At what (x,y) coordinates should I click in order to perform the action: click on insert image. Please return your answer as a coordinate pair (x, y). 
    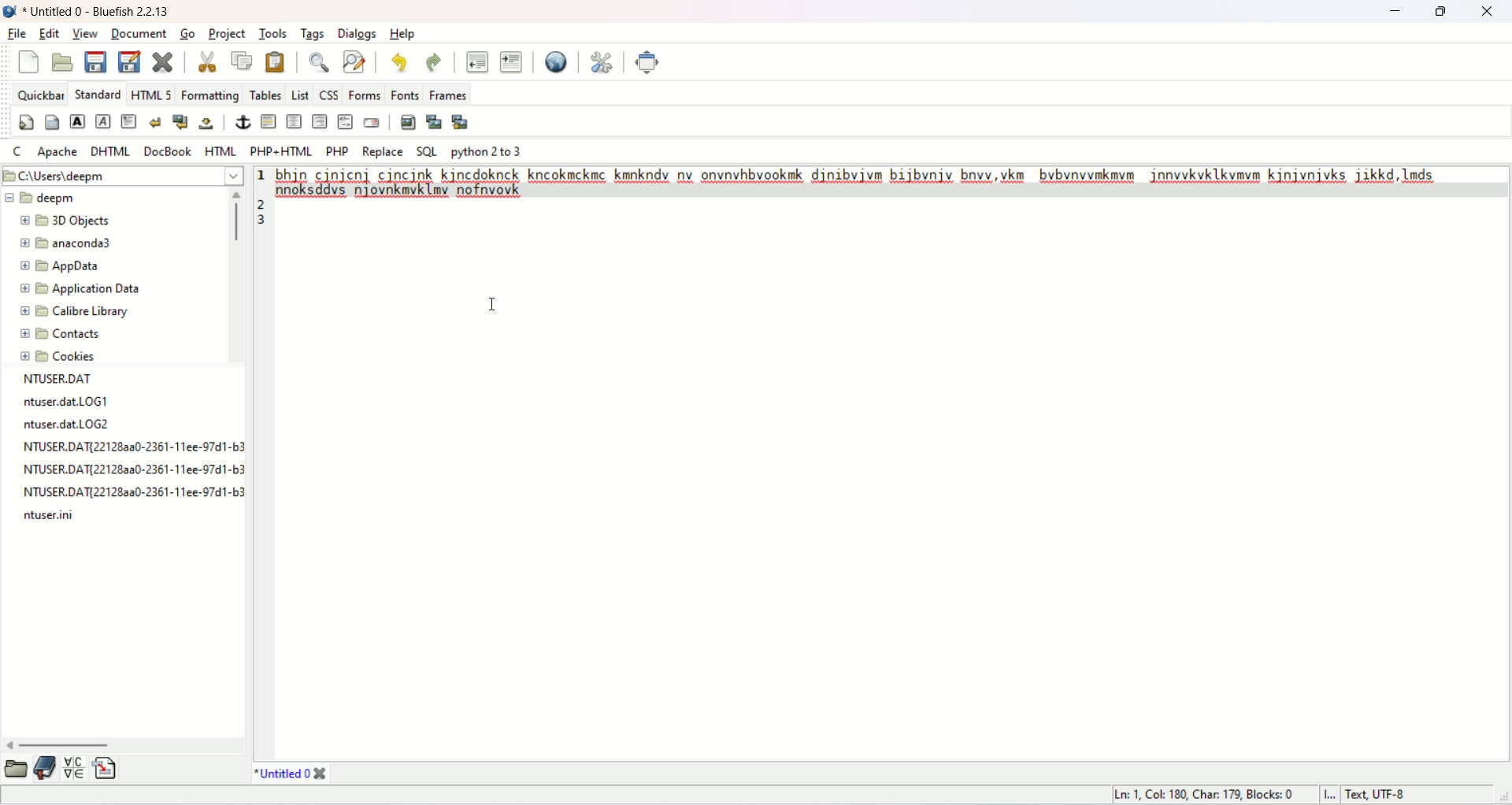
    Looking at the image, I should click on (408, 122).